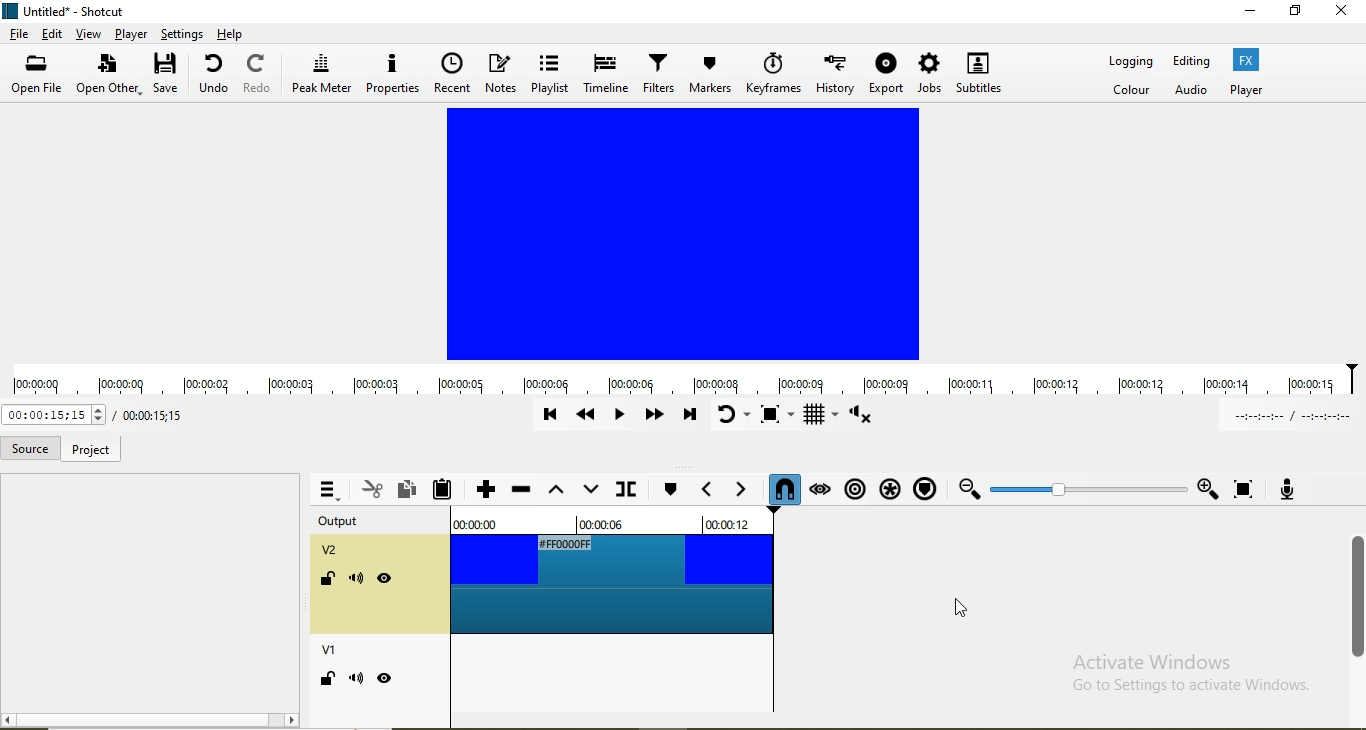  What do you see at coordinates (886, 484) in the screenshot?
I see `Ripple all tracks` at bounding box center [886, 484].